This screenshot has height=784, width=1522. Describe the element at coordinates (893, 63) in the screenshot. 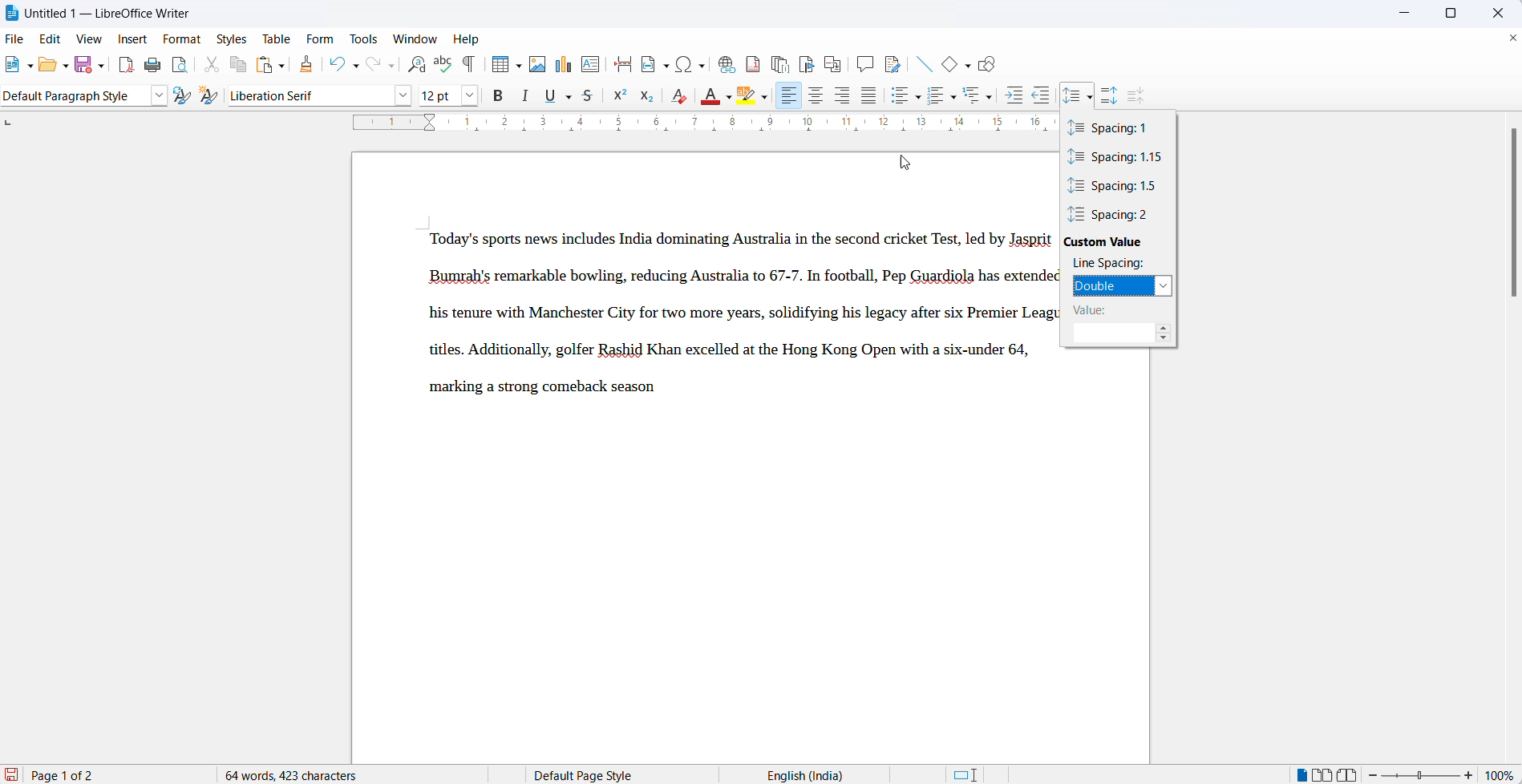

I see `show track changes functions` at that location.